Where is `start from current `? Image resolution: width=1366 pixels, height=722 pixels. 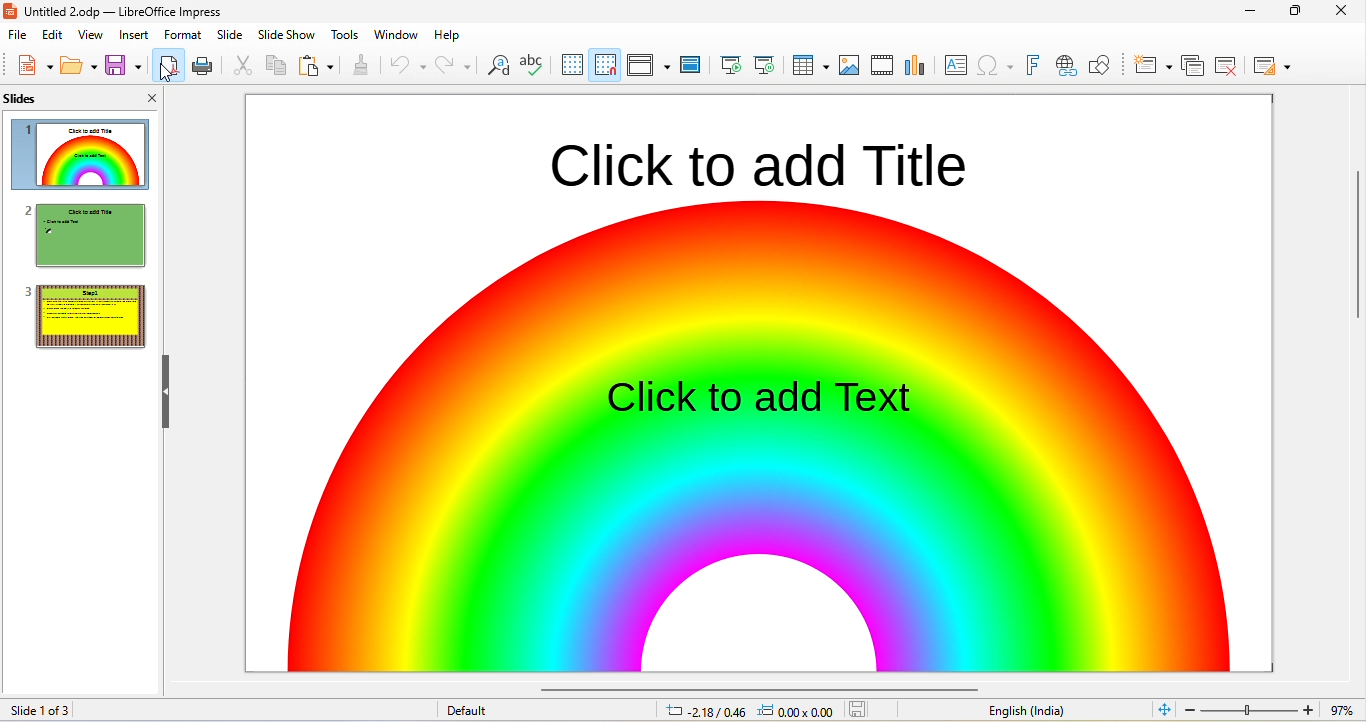 start from current  is located at coordinates (727, 63).